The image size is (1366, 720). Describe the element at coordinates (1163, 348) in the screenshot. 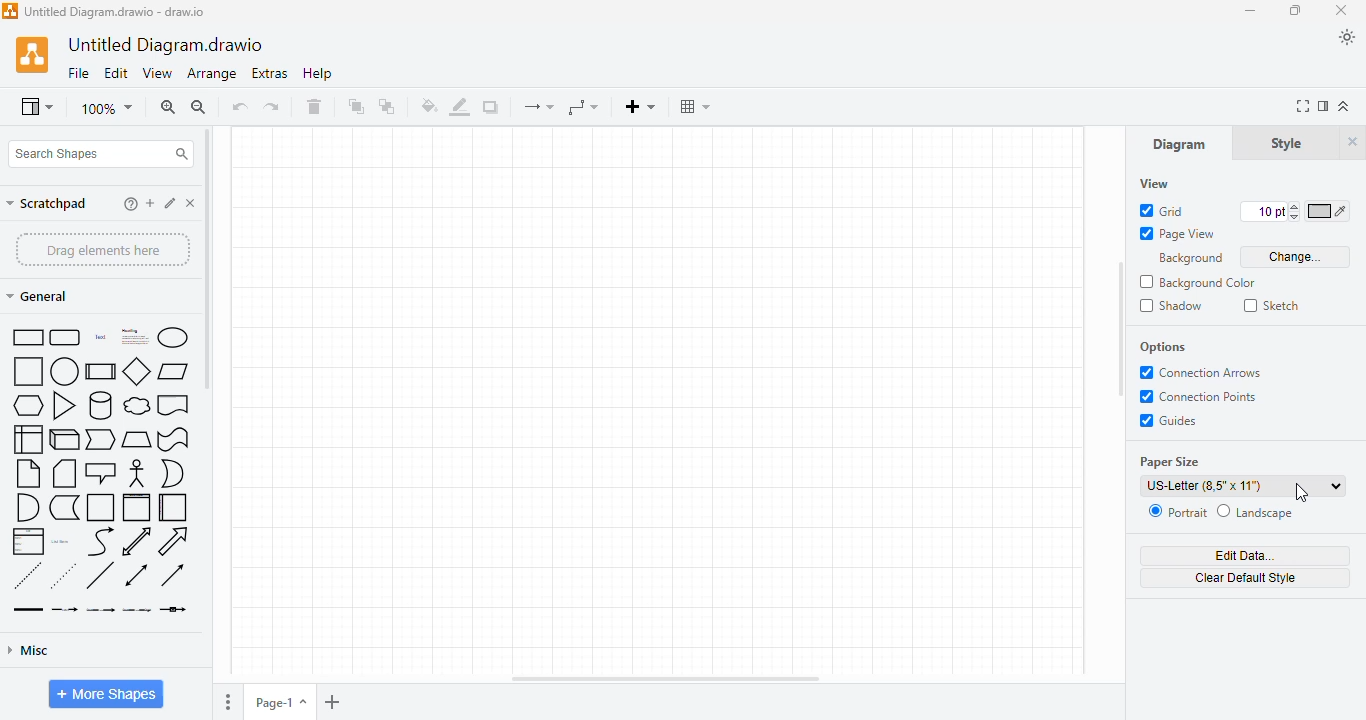

I see `options` at that location.